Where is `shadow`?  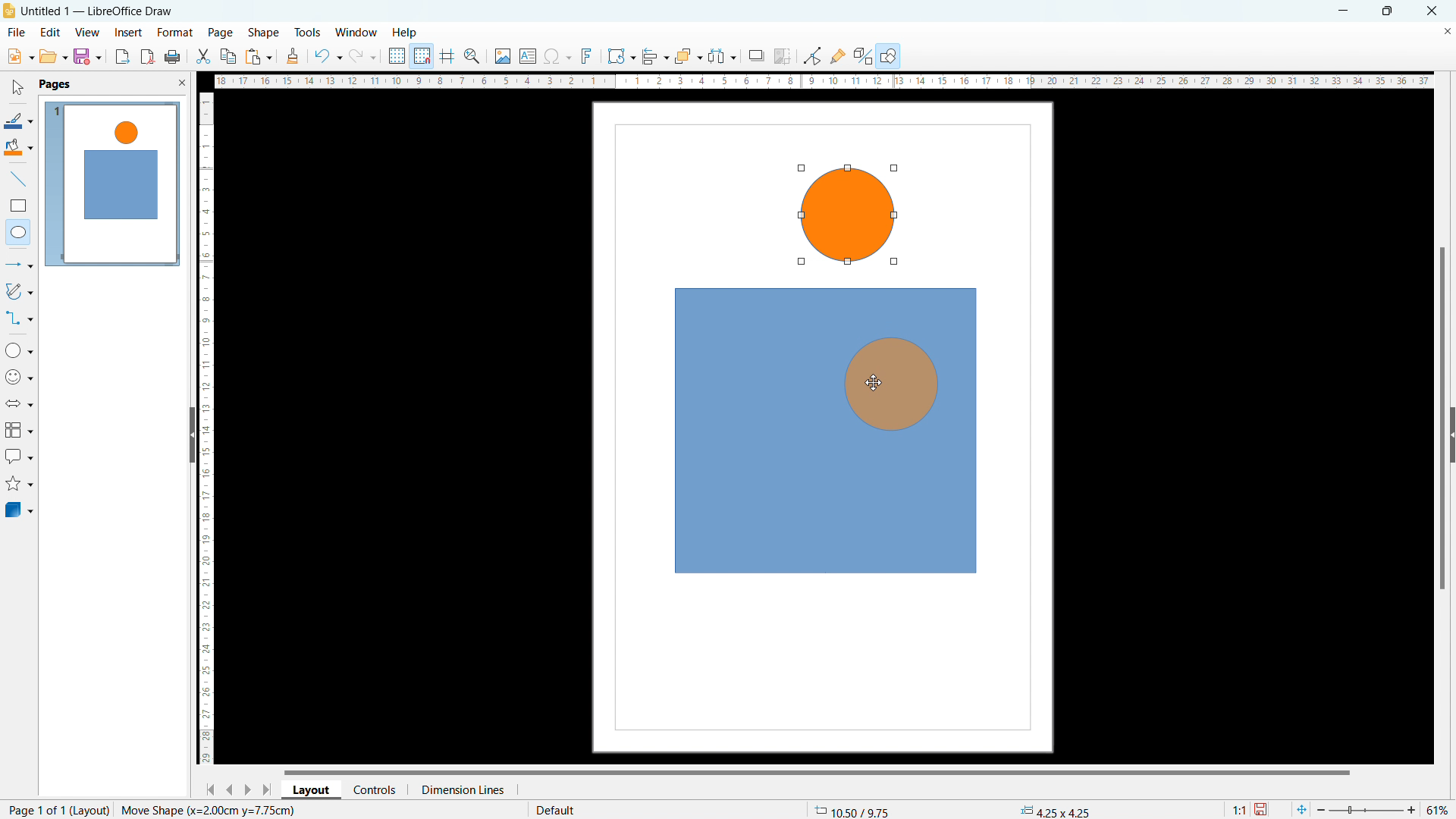 shadow is located at coordinates (755, 56).